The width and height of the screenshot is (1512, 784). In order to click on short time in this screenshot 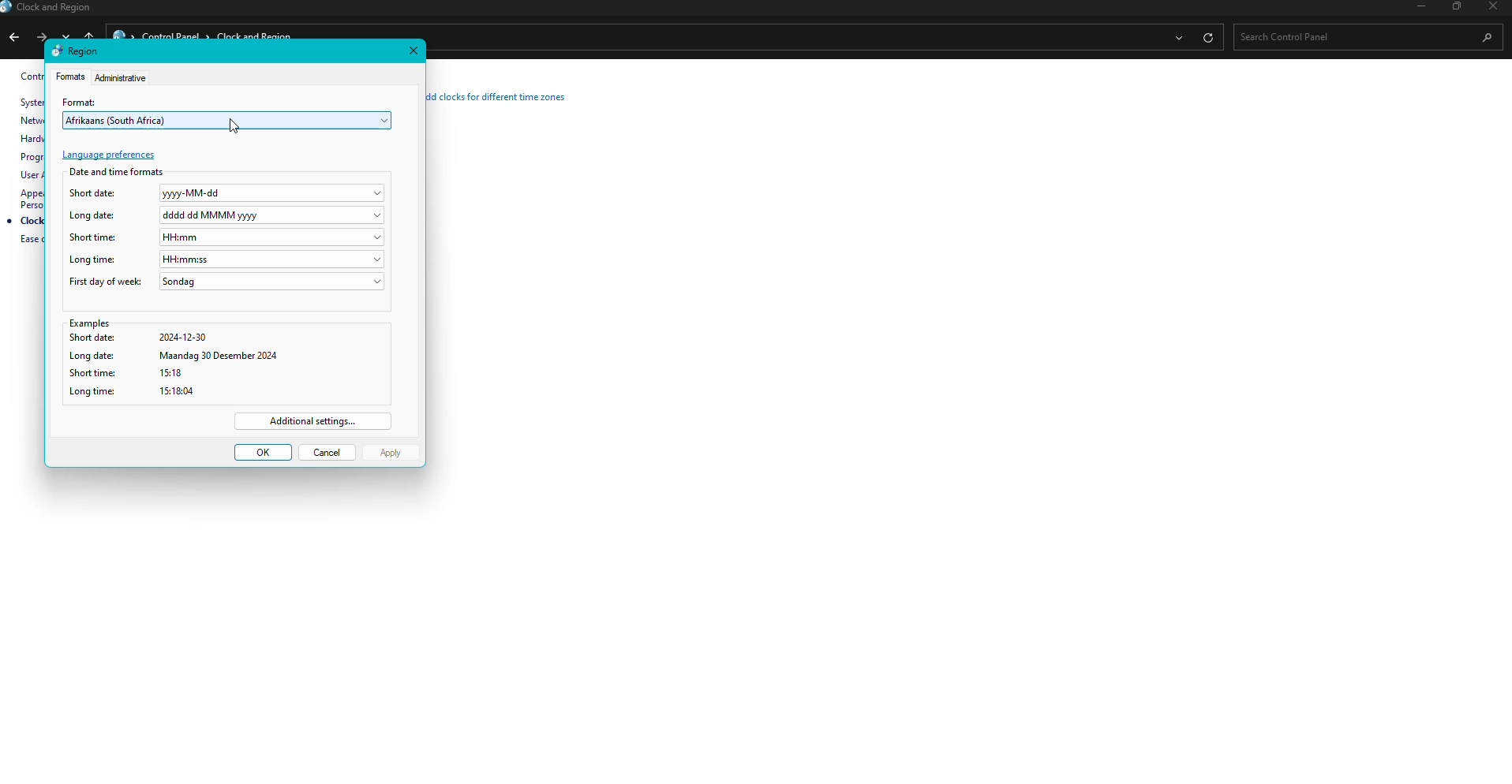, I will do `click(223, 374)`.